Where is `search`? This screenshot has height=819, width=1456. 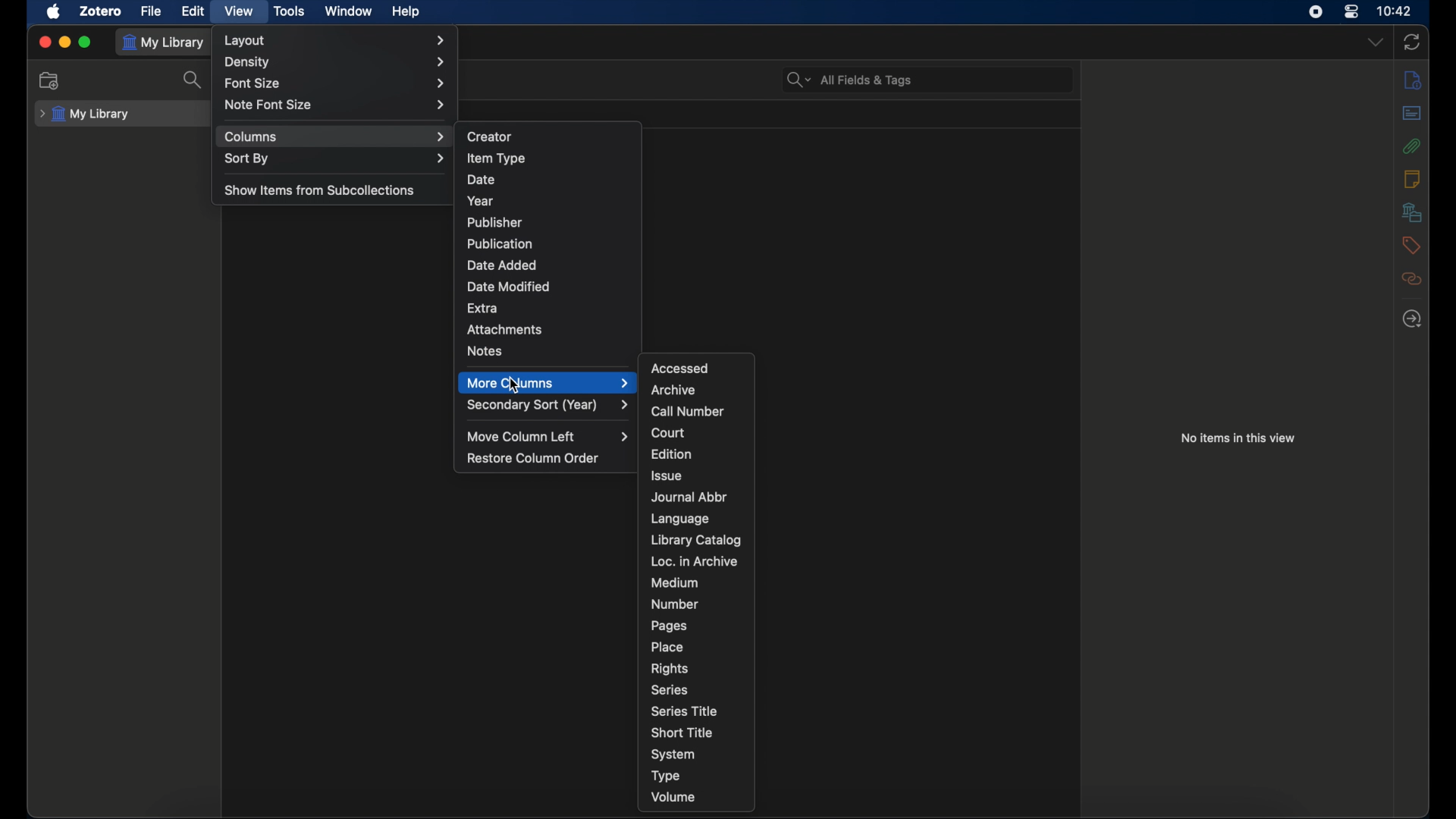
search is located at coordinates (194, 80).